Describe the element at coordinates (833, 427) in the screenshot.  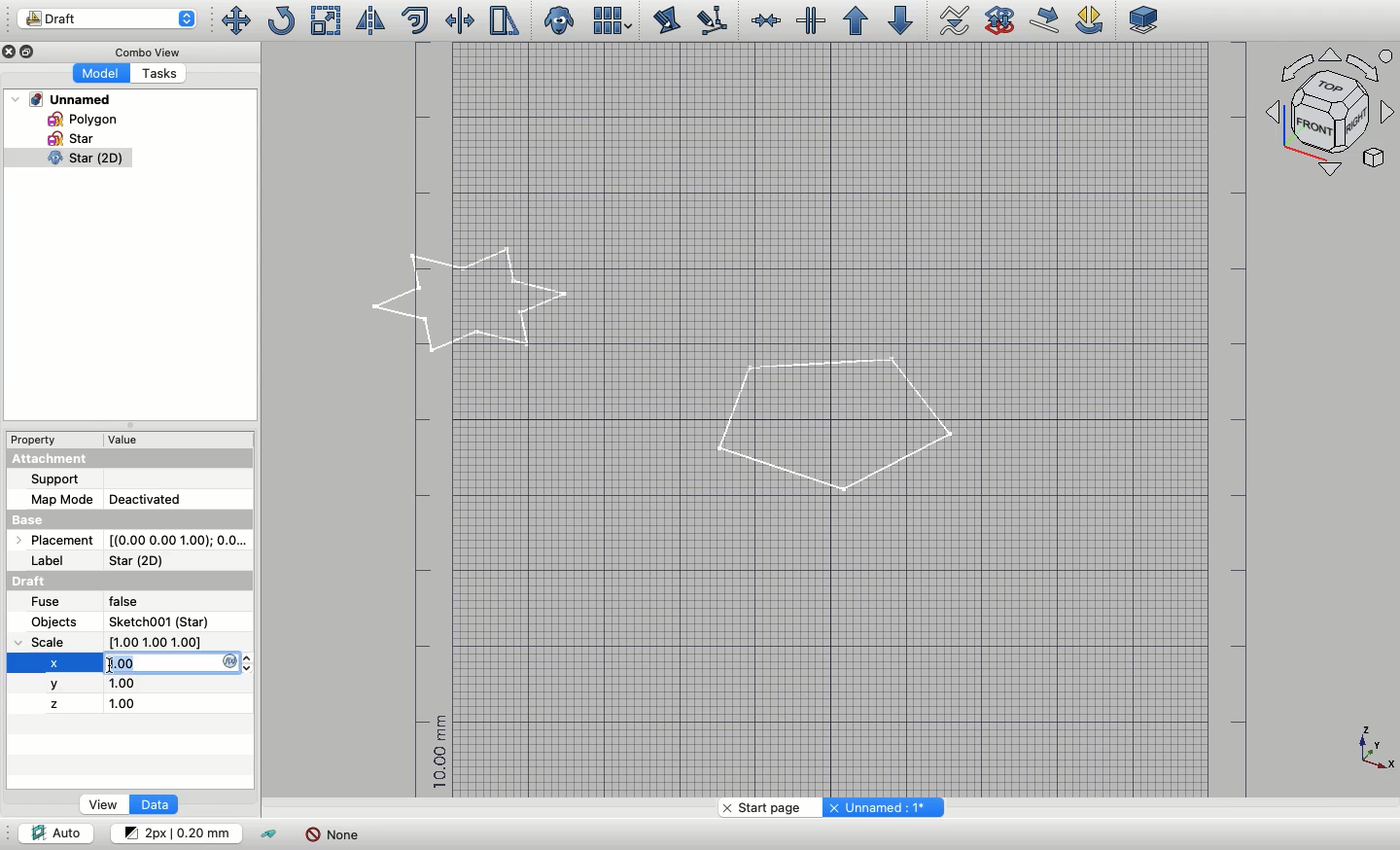
I see `Polygon` at that location.